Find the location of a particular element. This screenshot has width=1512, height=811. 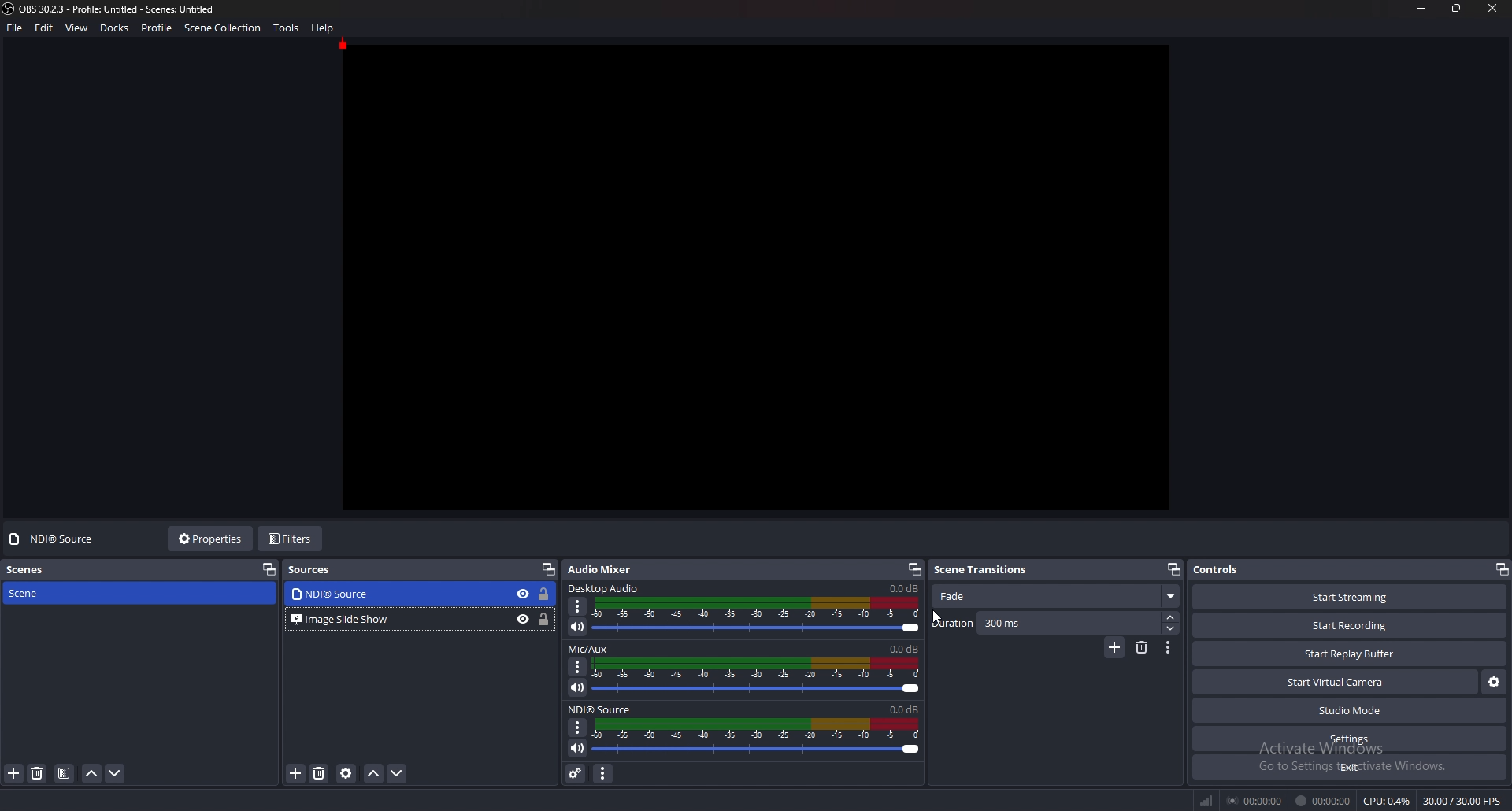

scene transitions is located at coordinates (984, 570).